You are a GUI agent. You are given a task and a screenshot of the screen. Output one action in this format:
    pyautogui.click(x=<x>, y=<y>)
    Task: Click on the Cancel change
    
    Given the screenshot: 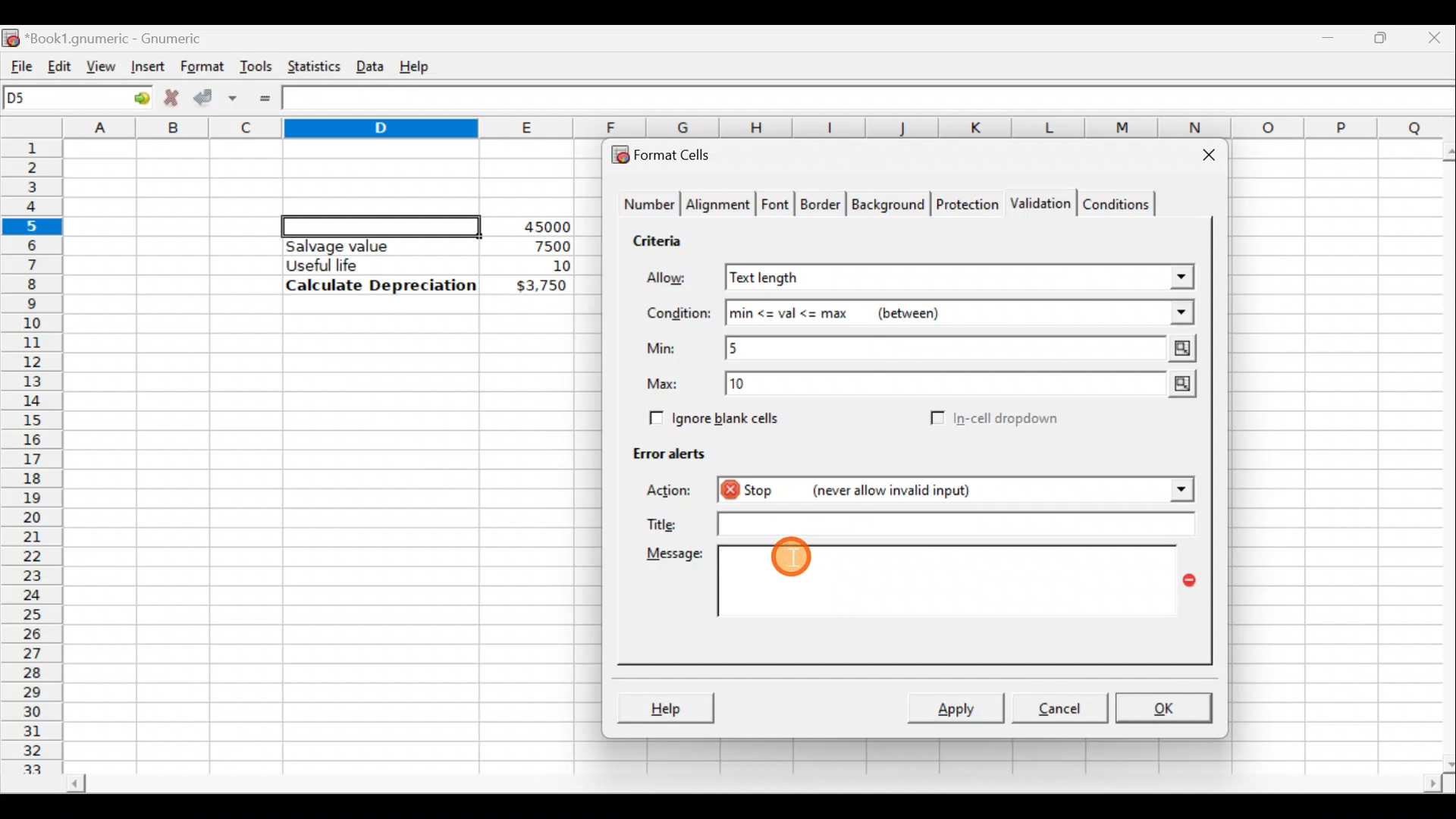 What is the action you would take?
    pyautogui.click(x=170, y=96)
    